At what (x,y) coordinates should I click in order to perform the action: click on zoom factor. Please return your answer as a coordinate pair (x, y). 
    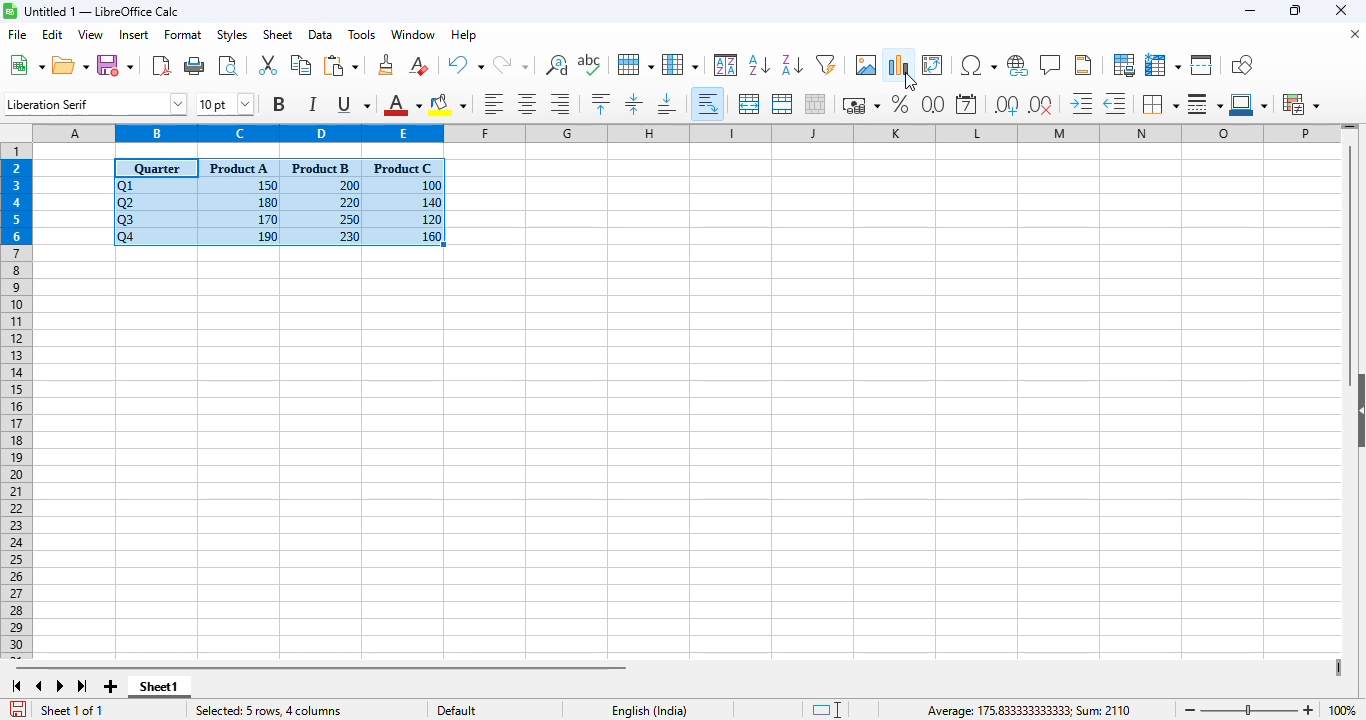
    Looking at the image, I should click on (1341, 710).